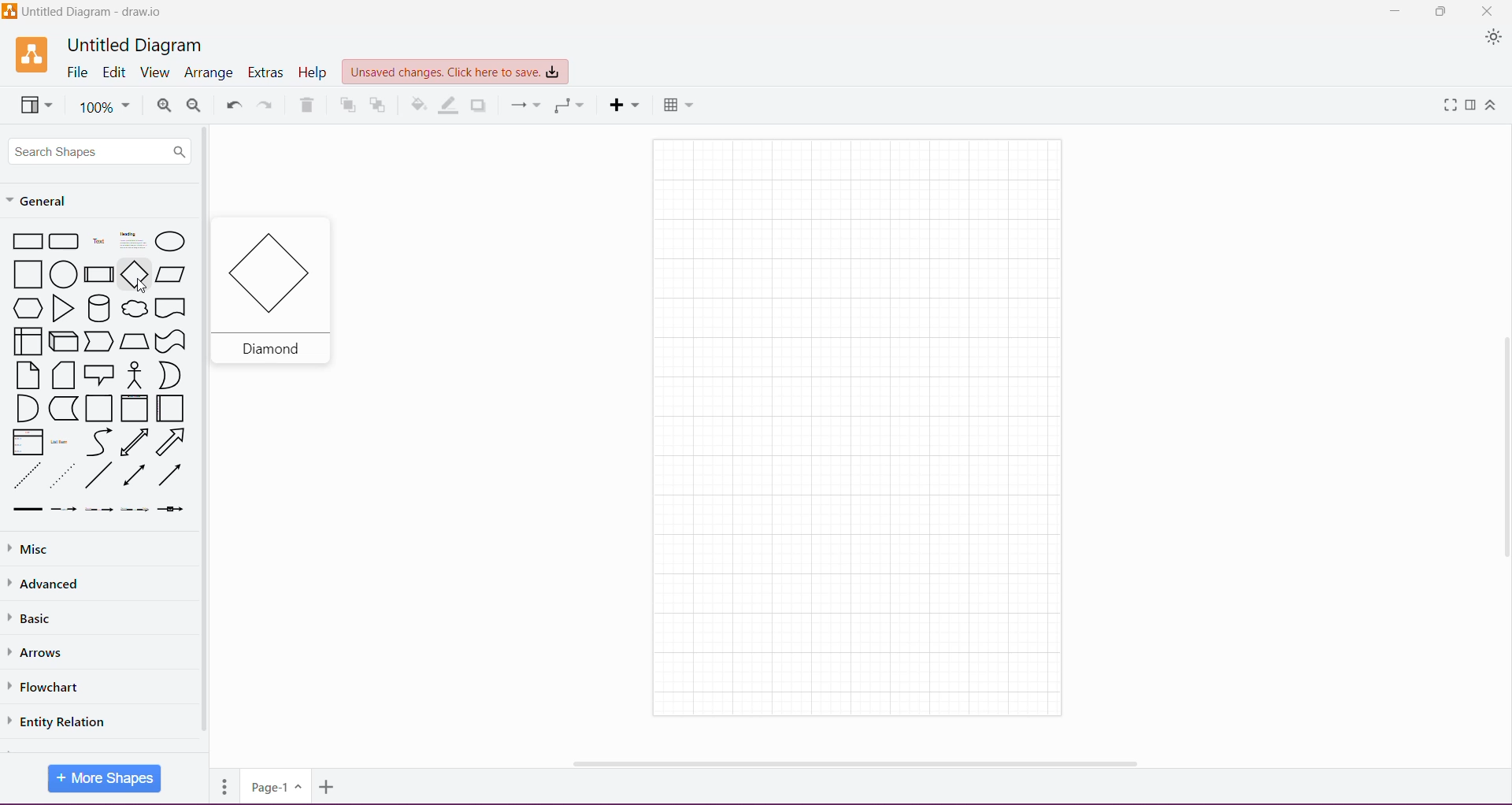 The height and width of the screenshot is (805, 1512). What do you see at coordinates (678, 106) in the screenshot?
I see `Table` at bounding box center [678, 106].